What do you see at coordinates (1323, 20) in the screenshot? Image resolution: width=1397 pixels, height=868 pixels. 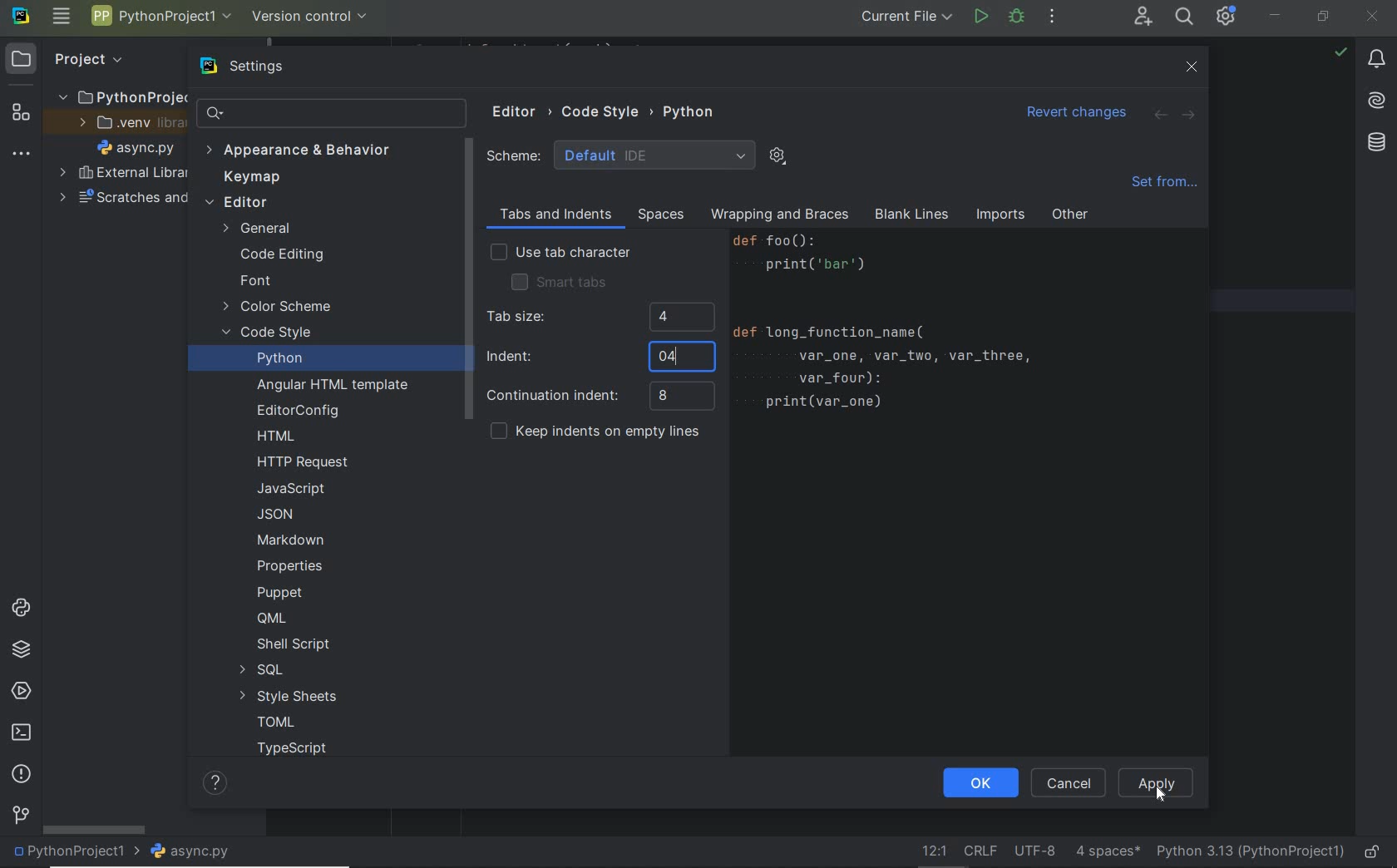 I see `restore down` at bounding box center [1323, 20].